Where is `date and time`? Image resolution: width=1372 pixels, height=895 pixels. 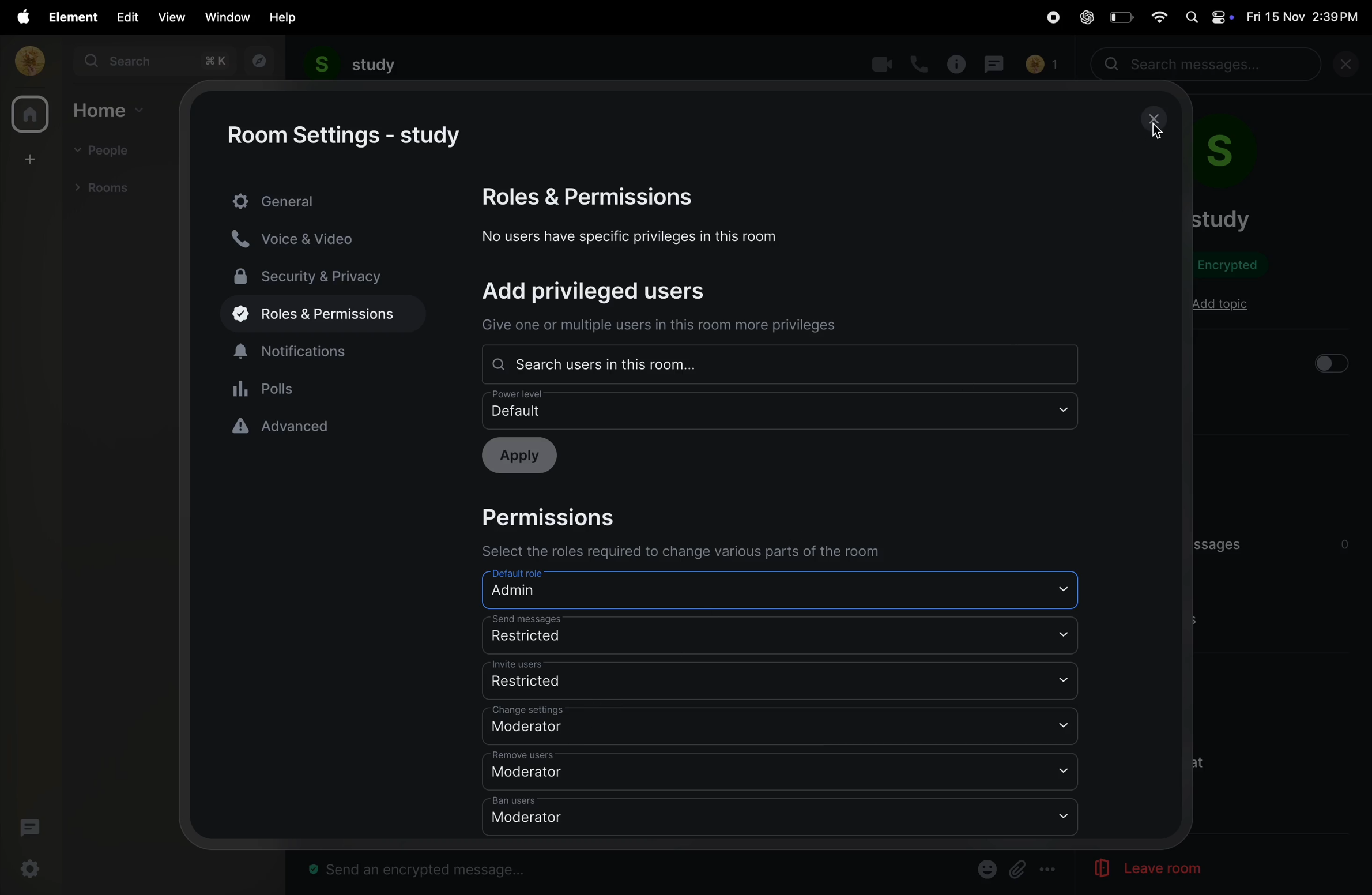
date and time is located at coordinates (1306, 17).